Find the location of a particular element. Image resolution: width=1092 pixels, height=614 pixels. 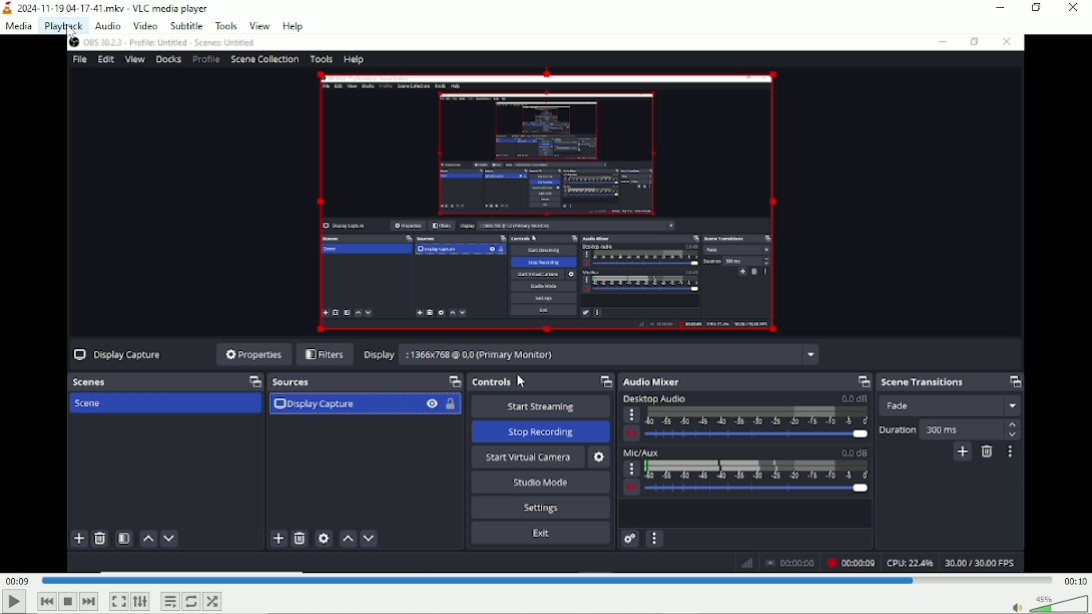

help is located at coordinates (294, 24).